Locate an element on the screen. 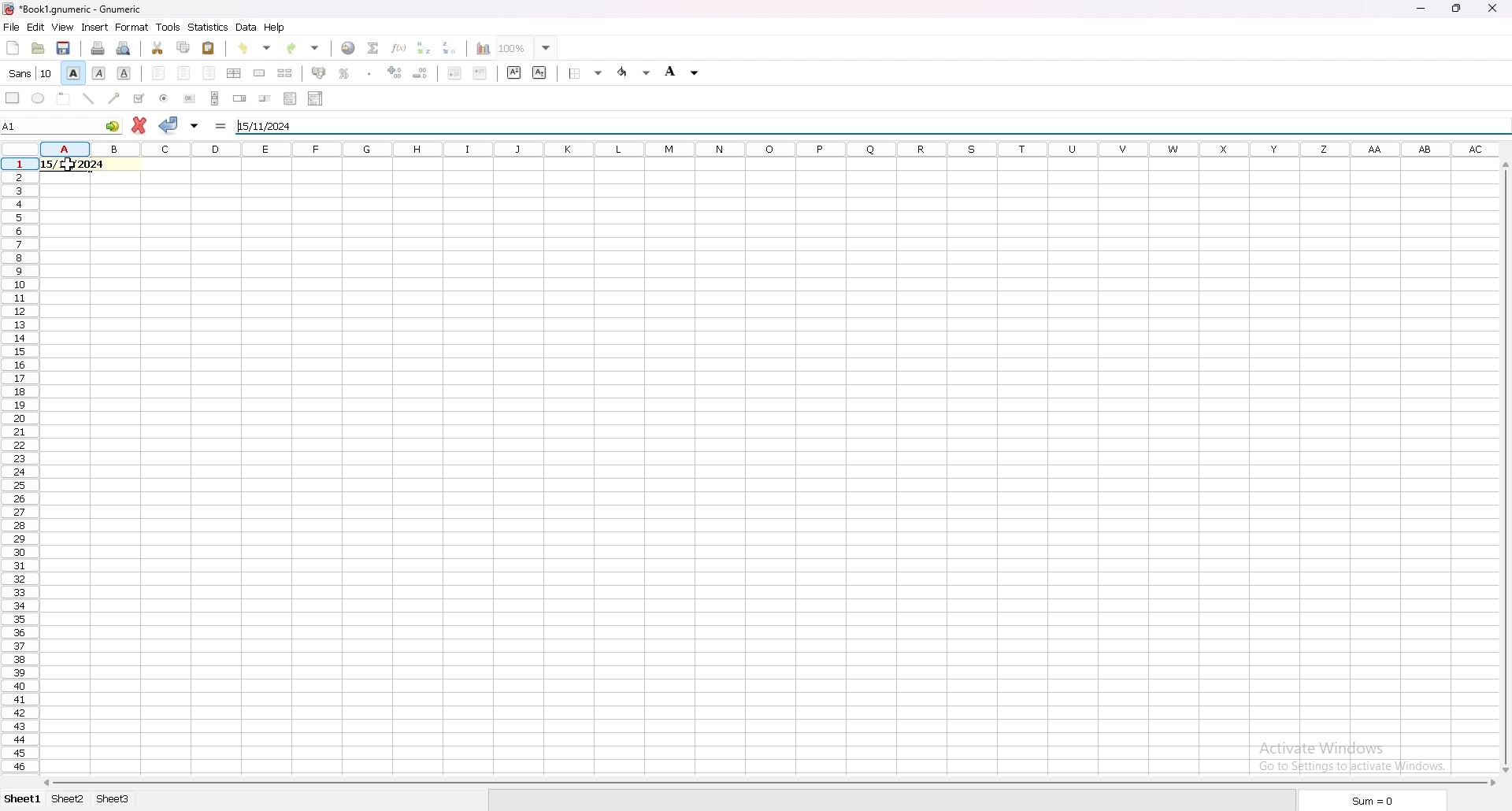  cancel change is located at coordinates (140, 125).